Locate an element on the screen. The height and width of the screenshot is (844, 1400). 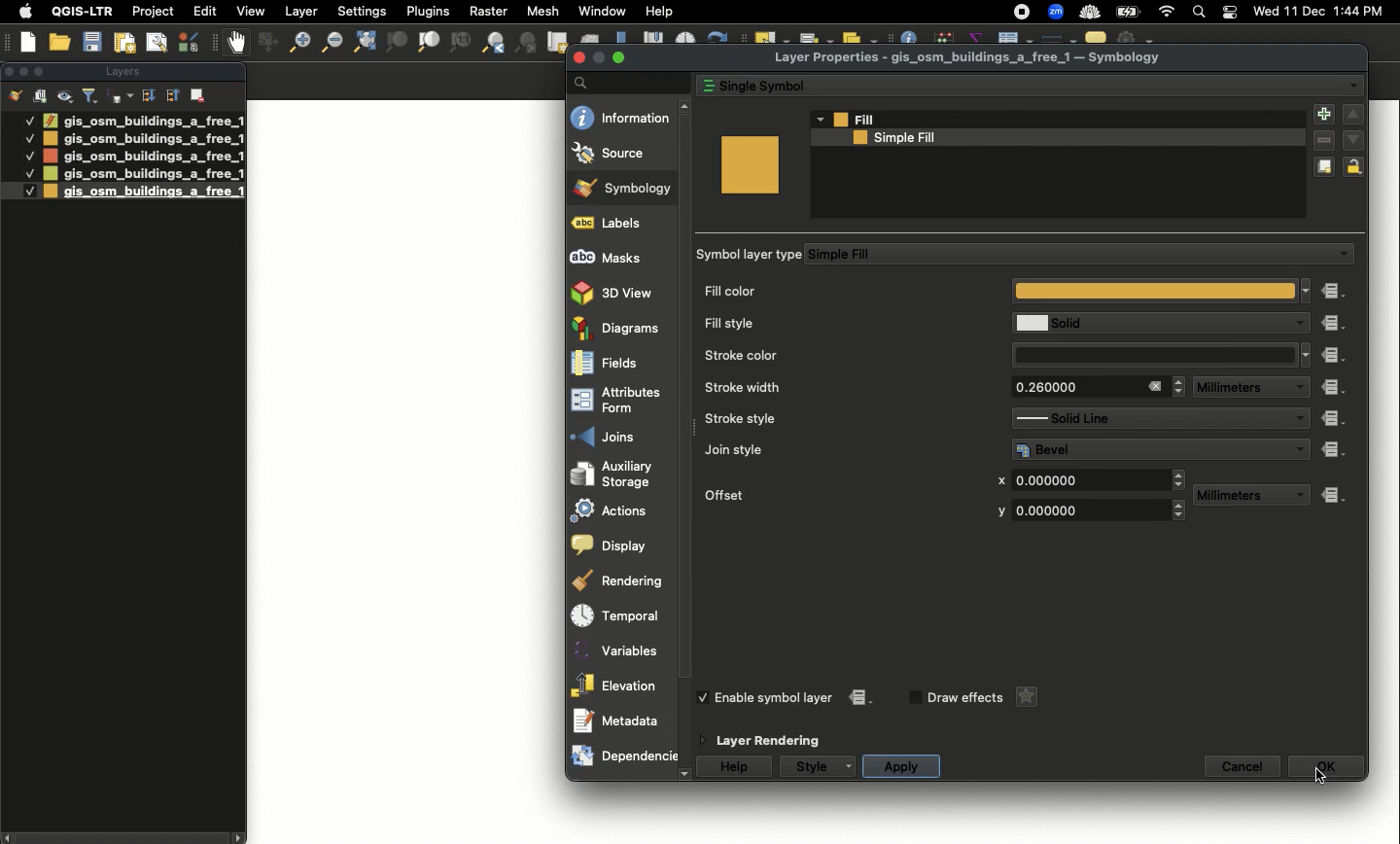
 is located at coordinates (9, 43).